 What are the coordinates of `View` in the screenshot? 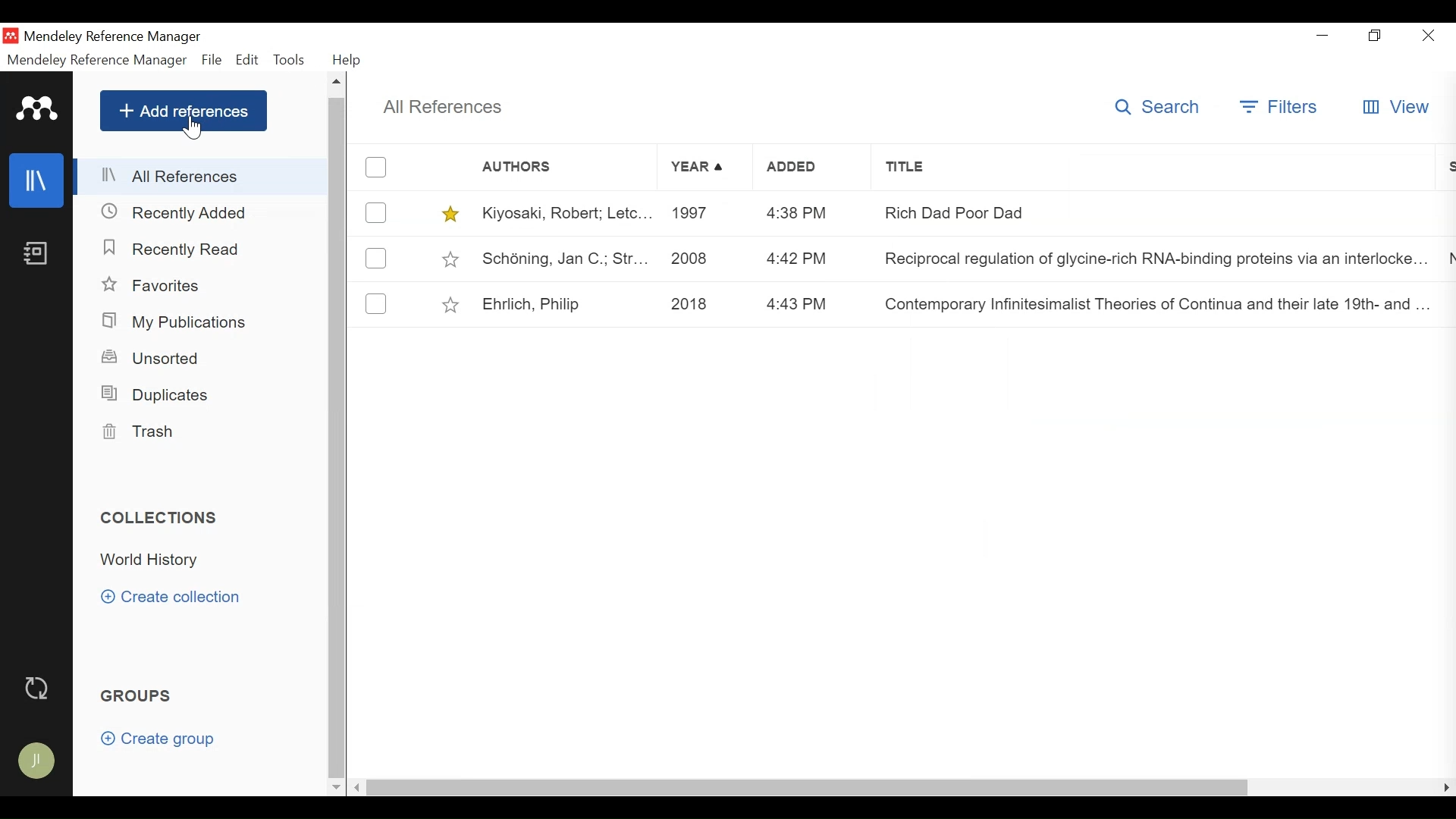 It's located at (1401, 106).